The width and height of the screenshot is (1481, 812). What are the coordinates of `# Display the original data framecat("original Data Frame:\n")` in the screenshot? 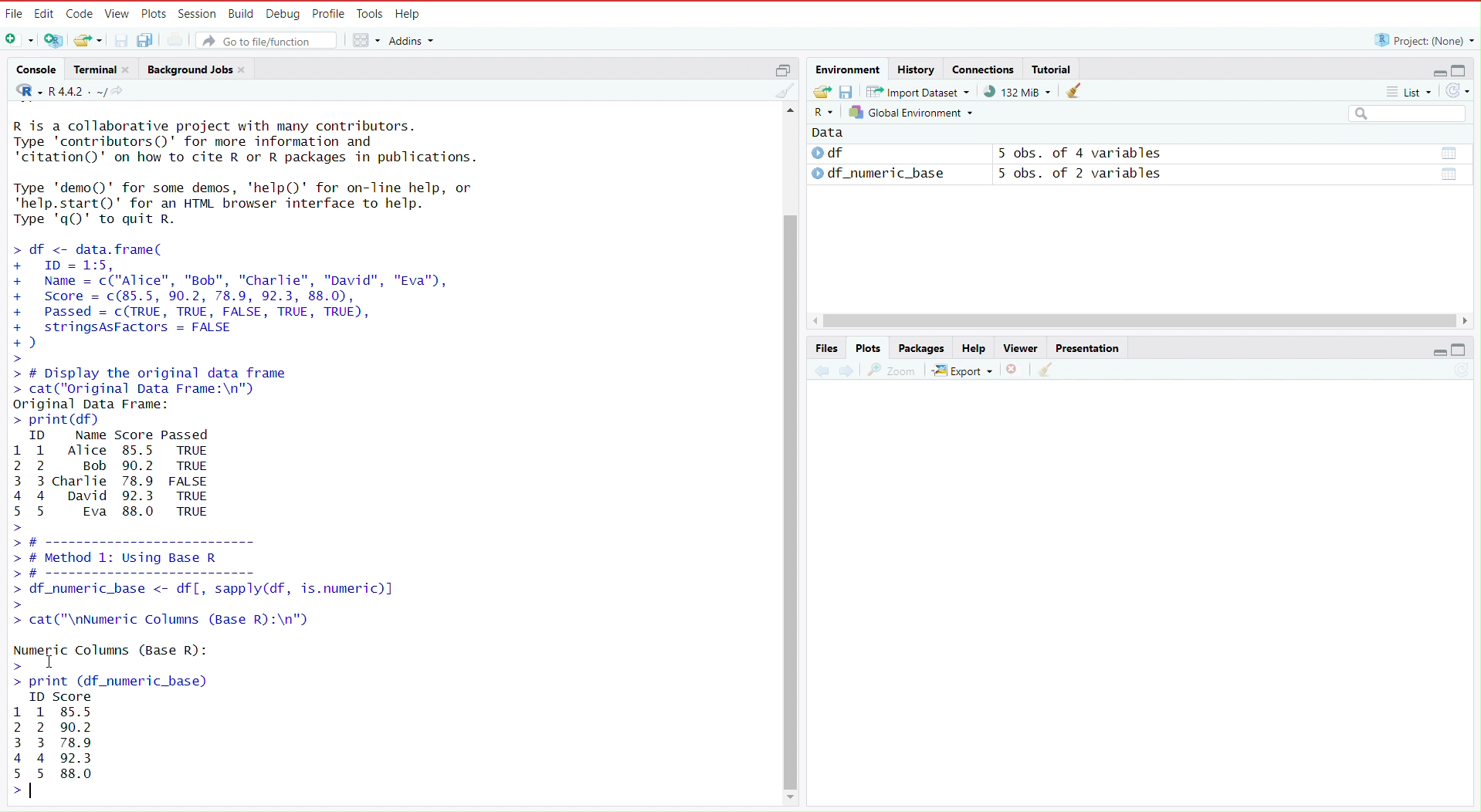 It's located at (164, 381).